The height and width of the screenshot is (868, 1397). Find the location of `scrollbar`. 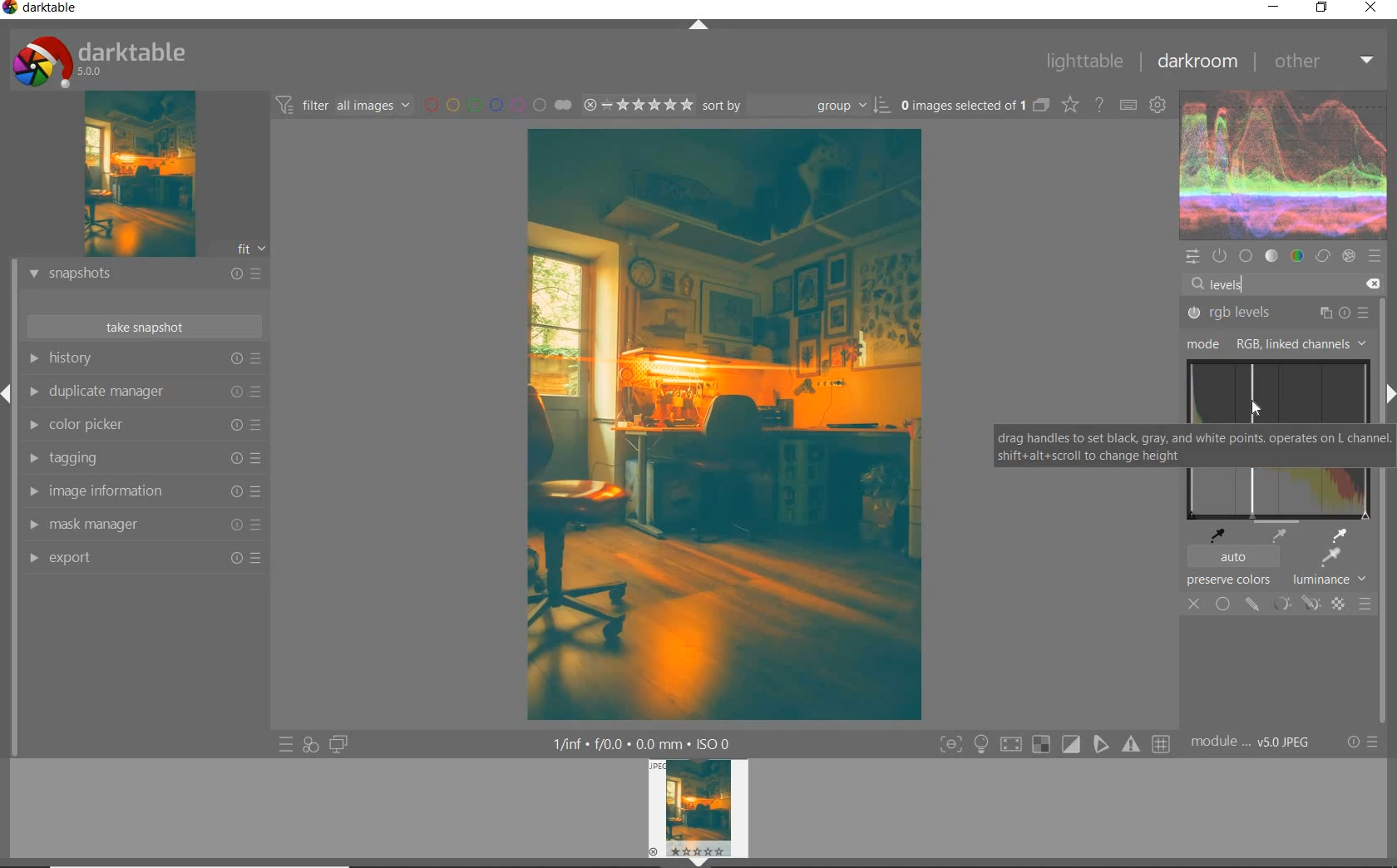

scrollbar is located at coordinates (1382, 451).